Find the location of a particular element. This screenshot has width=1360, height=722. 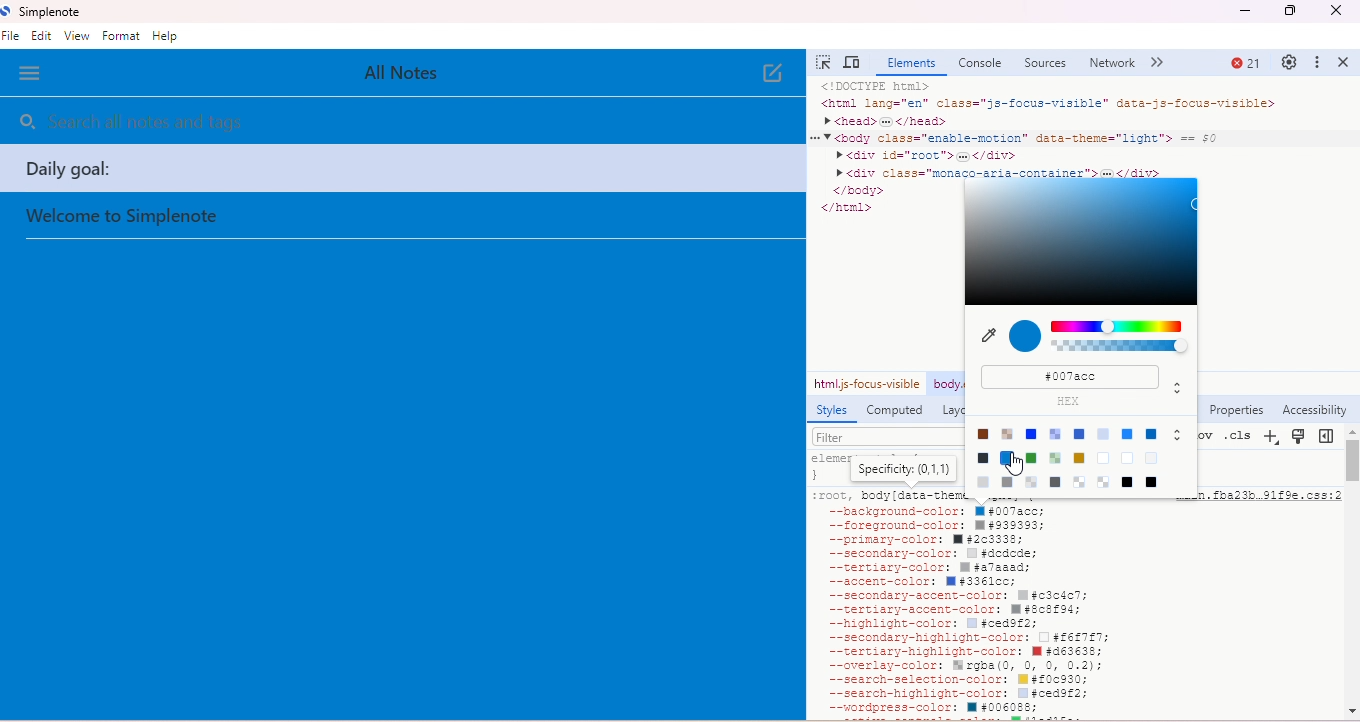

hex is located at coordinates (1079, 402).